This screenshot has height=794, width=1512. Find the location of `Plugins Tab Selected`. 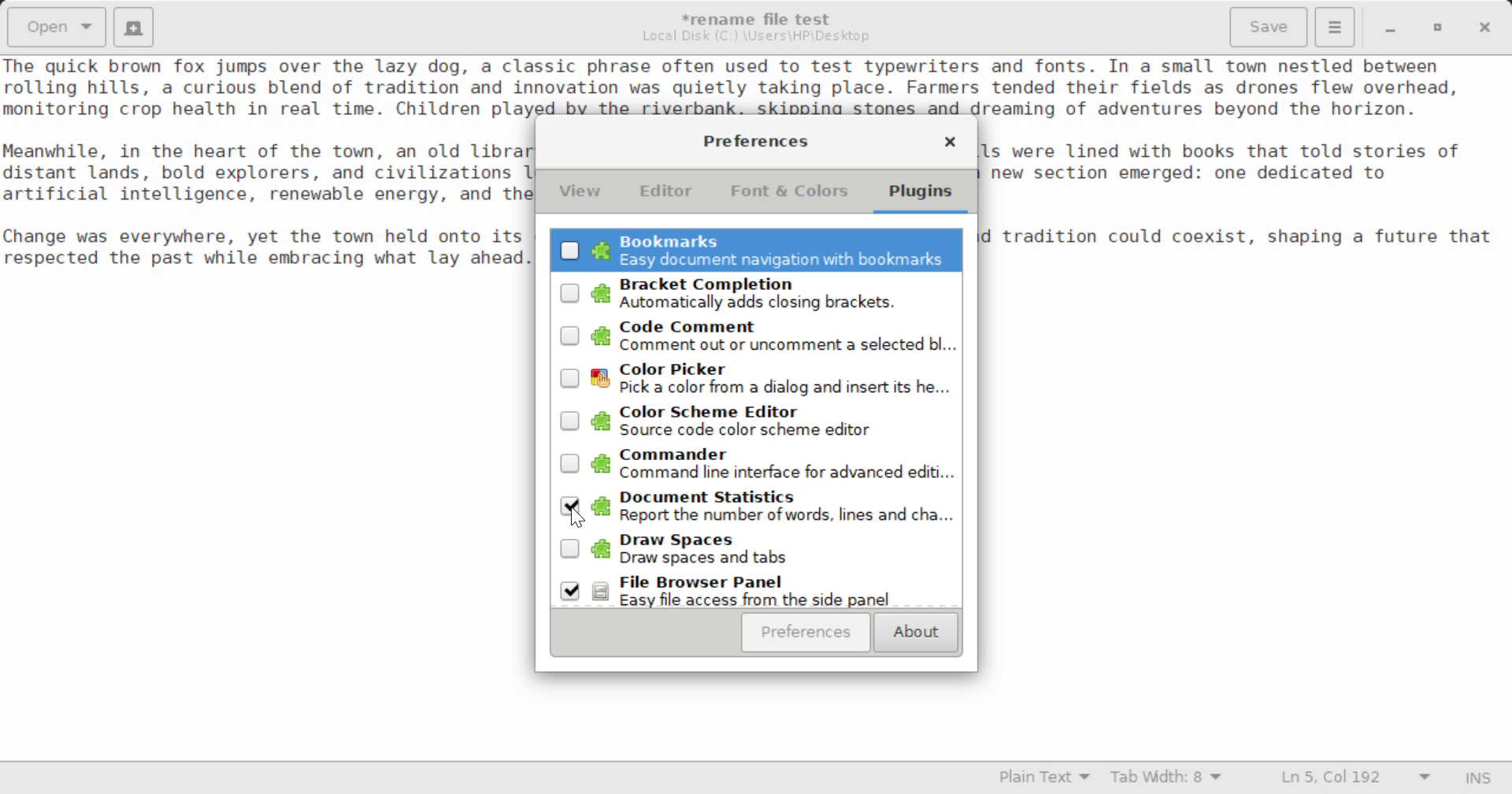

Plugins Tab Selected is located at coordinates (925, 197).